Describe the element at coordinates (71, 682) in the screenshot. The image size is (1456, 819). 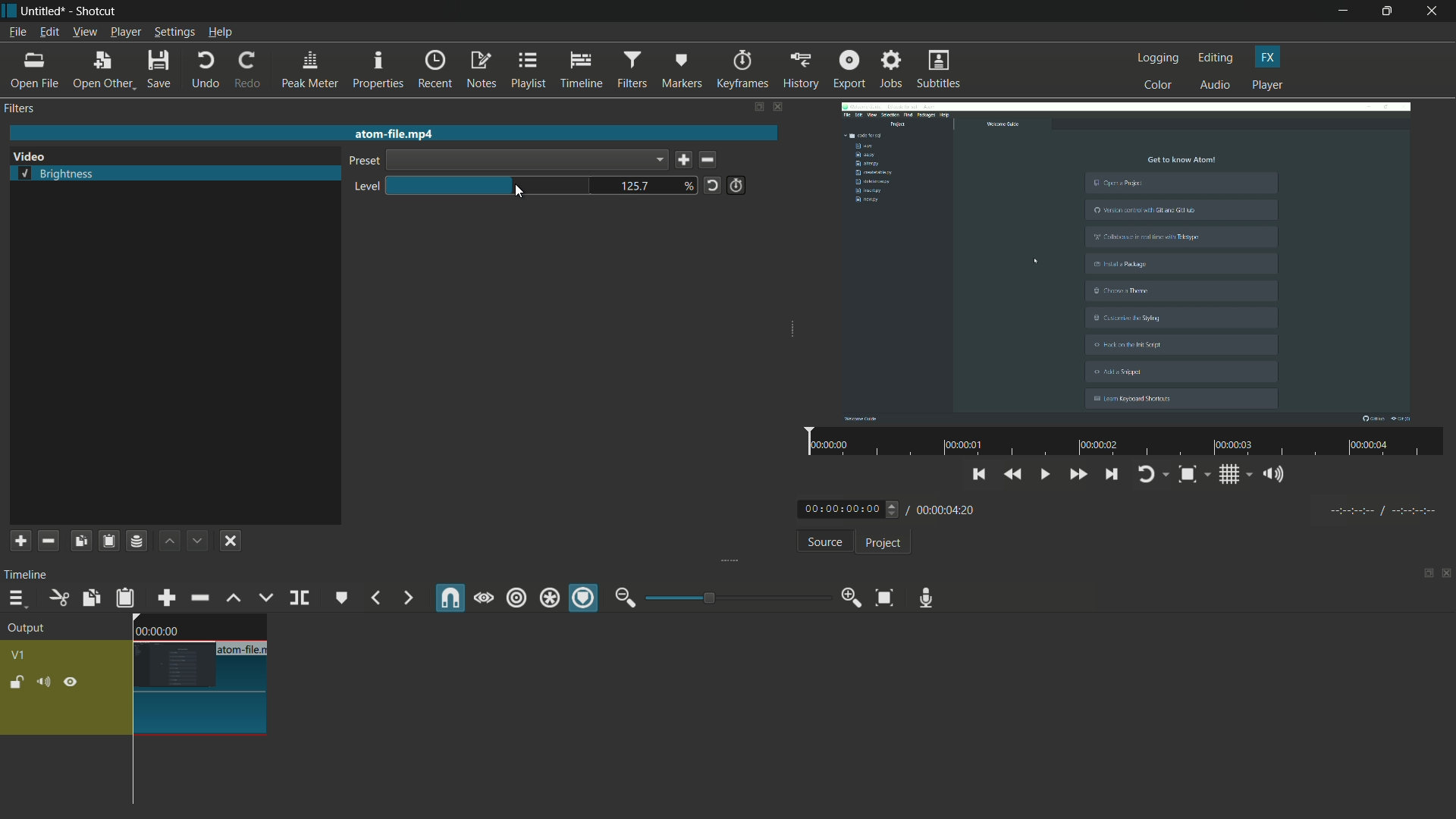
I see `hide` at that location.